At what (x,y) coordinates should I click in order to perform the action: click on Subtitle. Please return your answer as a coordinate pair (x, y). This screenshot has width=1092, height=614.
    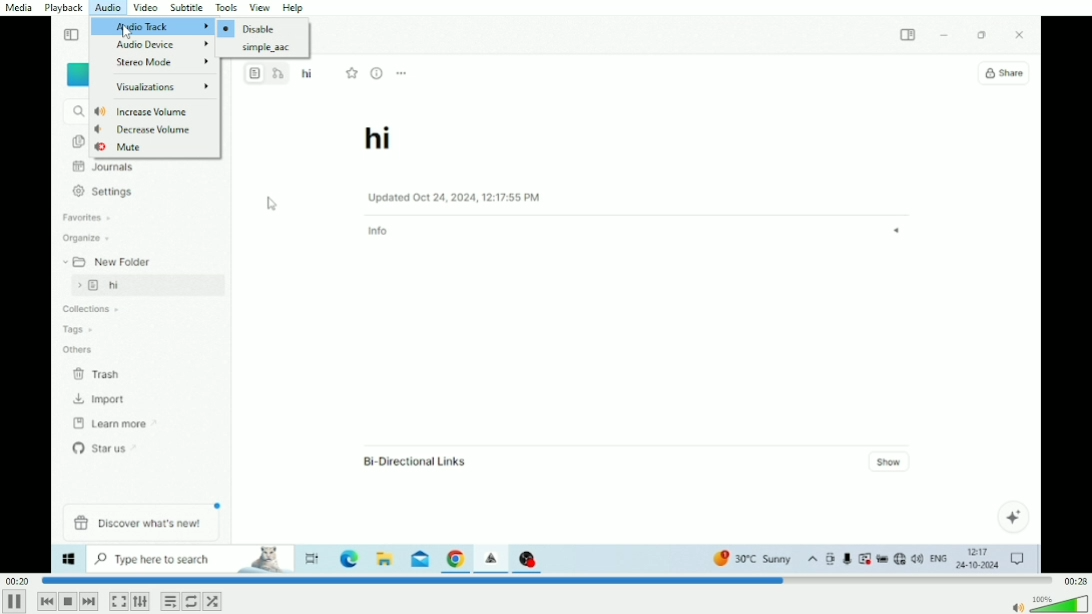
    Looking at the image, I should click on (188, 8).